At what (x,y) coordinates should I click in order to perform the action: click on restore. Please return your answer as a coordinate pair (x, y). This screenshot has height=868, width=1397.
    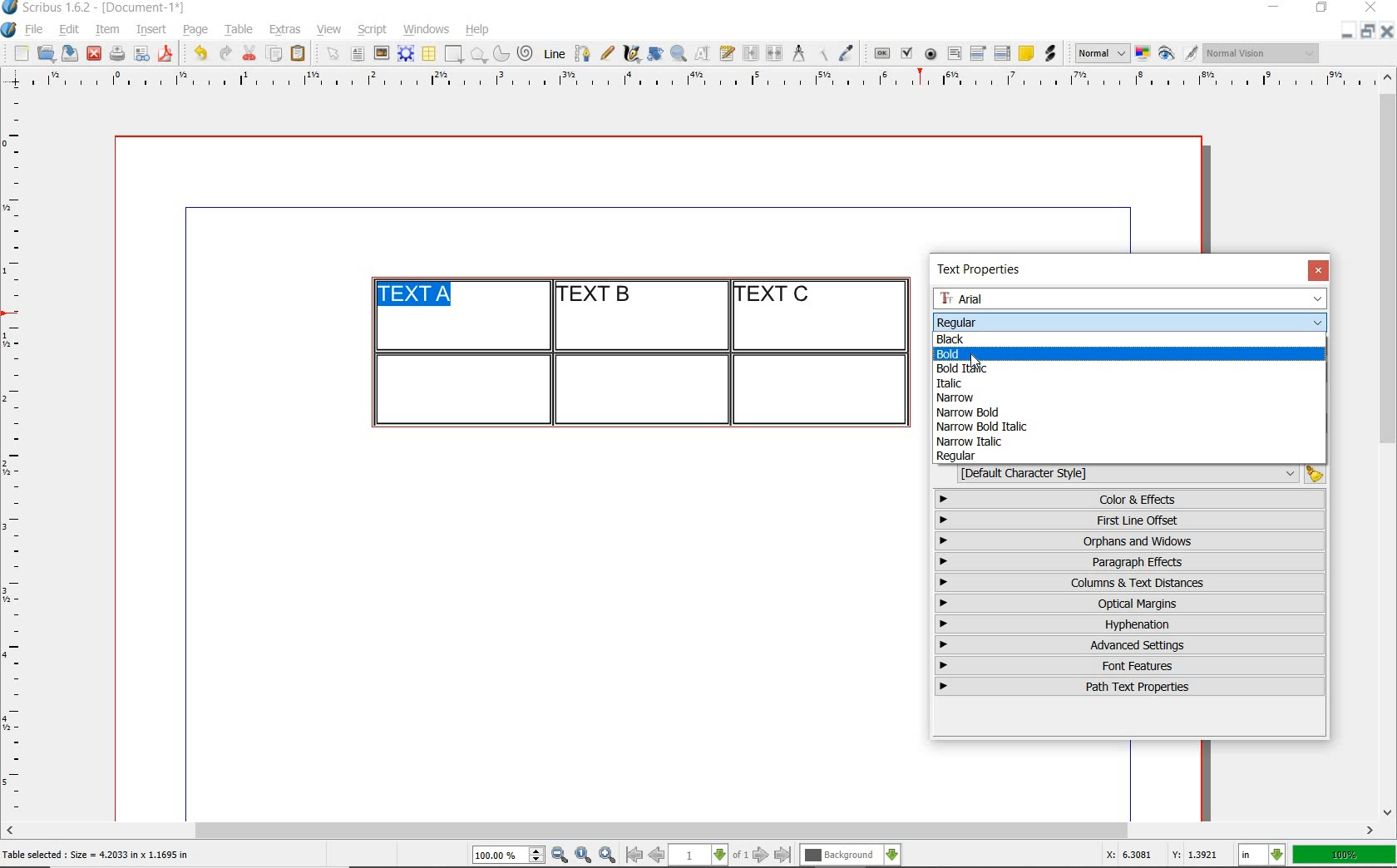
    Looking at the image, I should click on (1322, 8).